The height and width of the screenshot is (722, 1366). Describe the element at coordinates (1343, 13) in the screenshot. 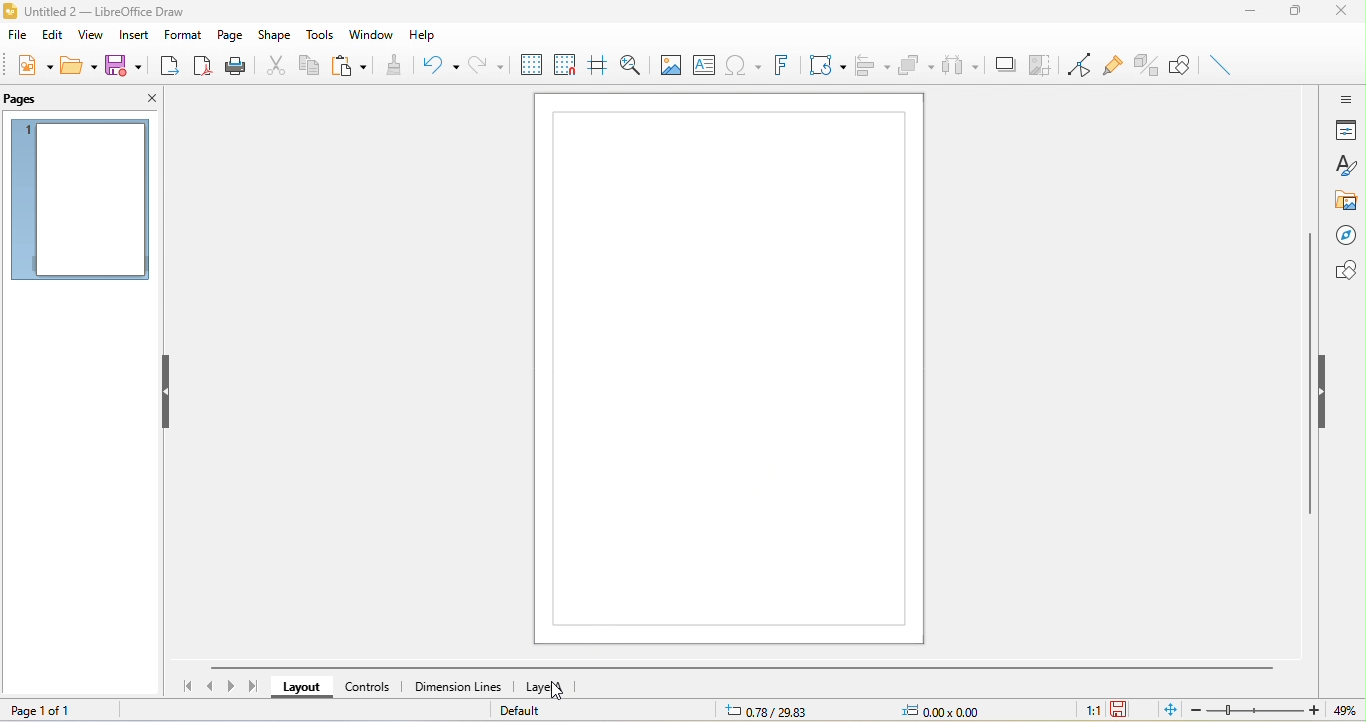

I see `close` at that location.